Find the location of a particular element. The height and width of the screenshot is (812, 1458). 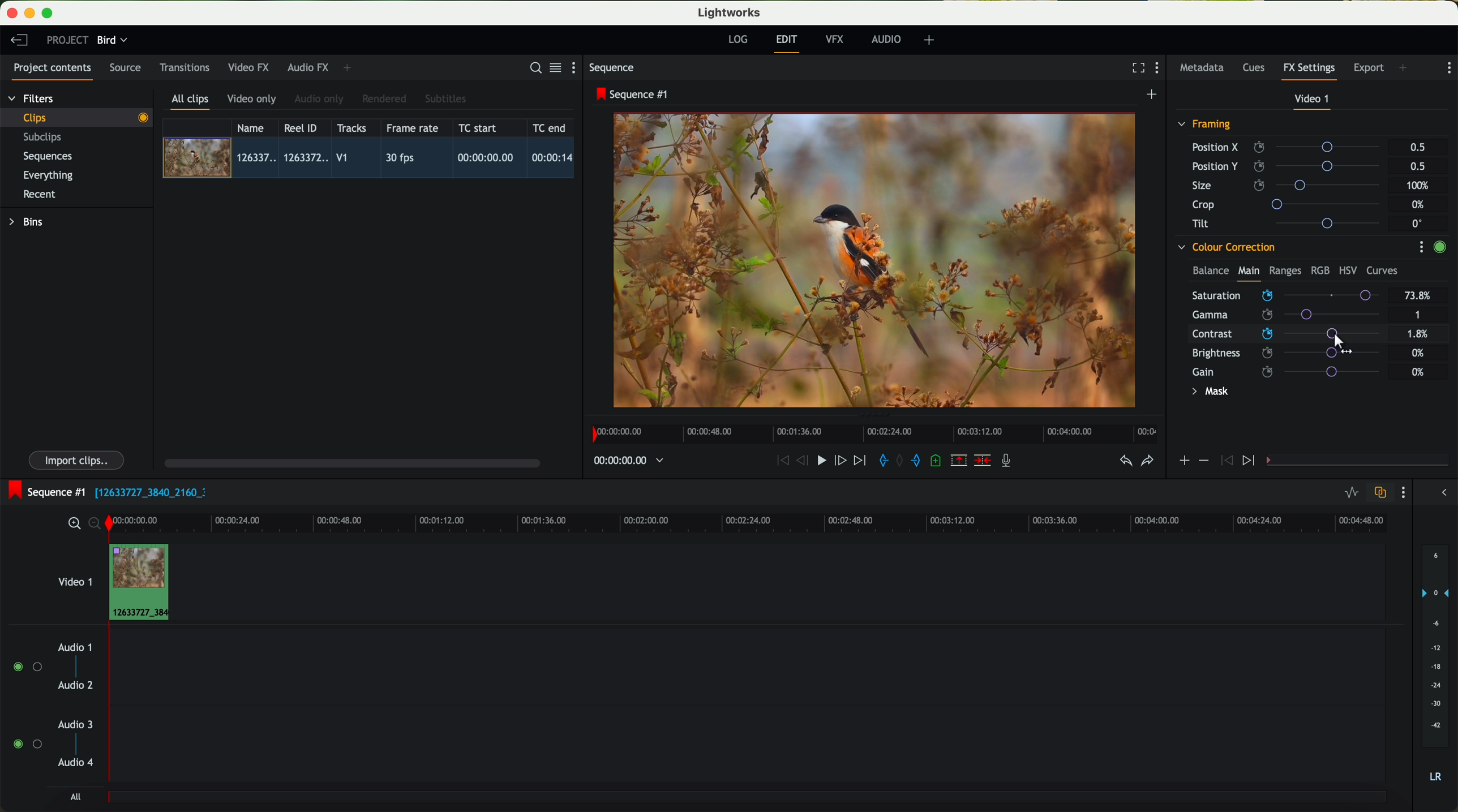

subtitles is located at coordinates (444, 99).